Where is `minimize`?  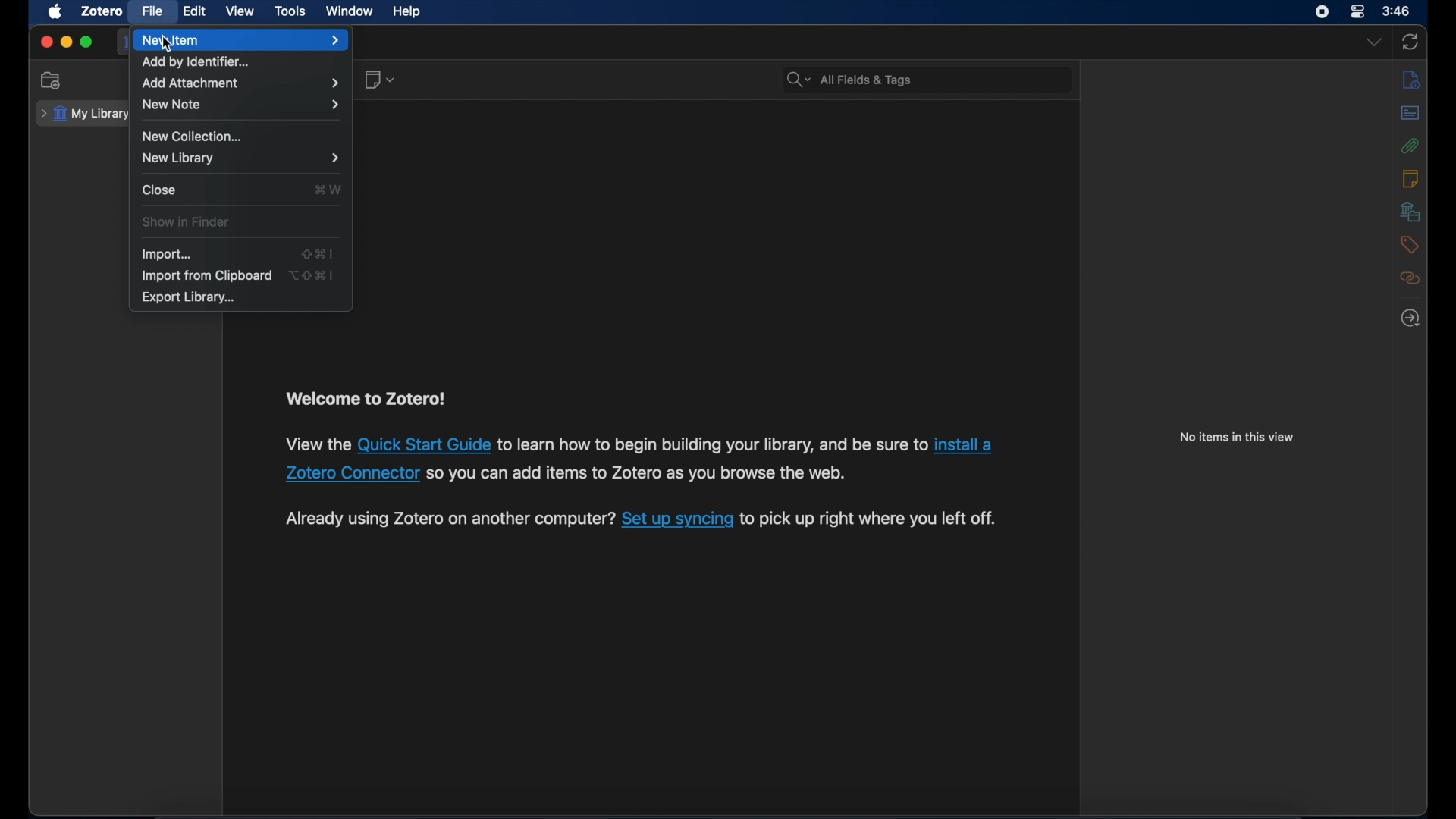 minimize is located at coordinates (65, 42).